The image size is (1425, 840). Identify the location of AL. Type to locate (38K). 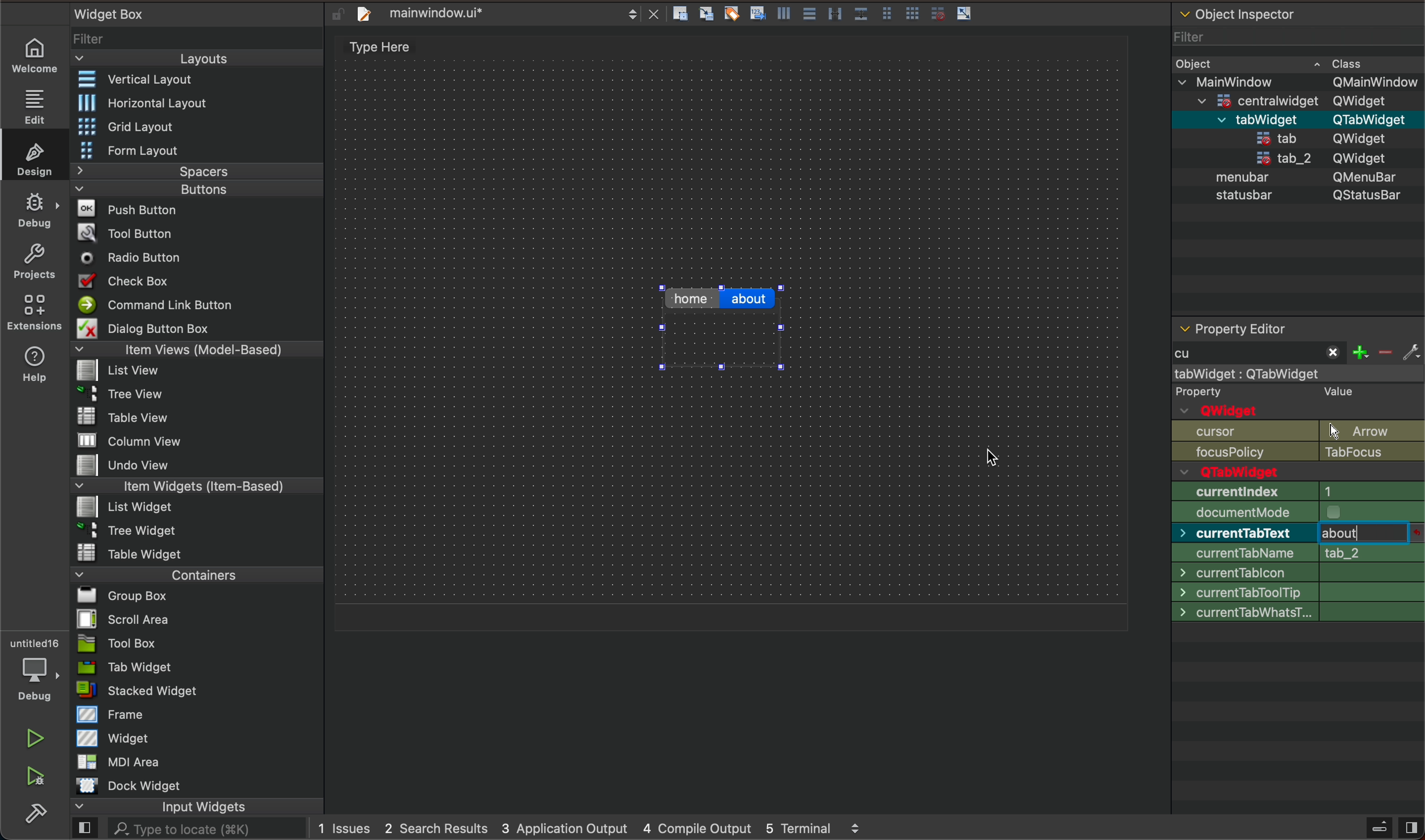
(195, 830).